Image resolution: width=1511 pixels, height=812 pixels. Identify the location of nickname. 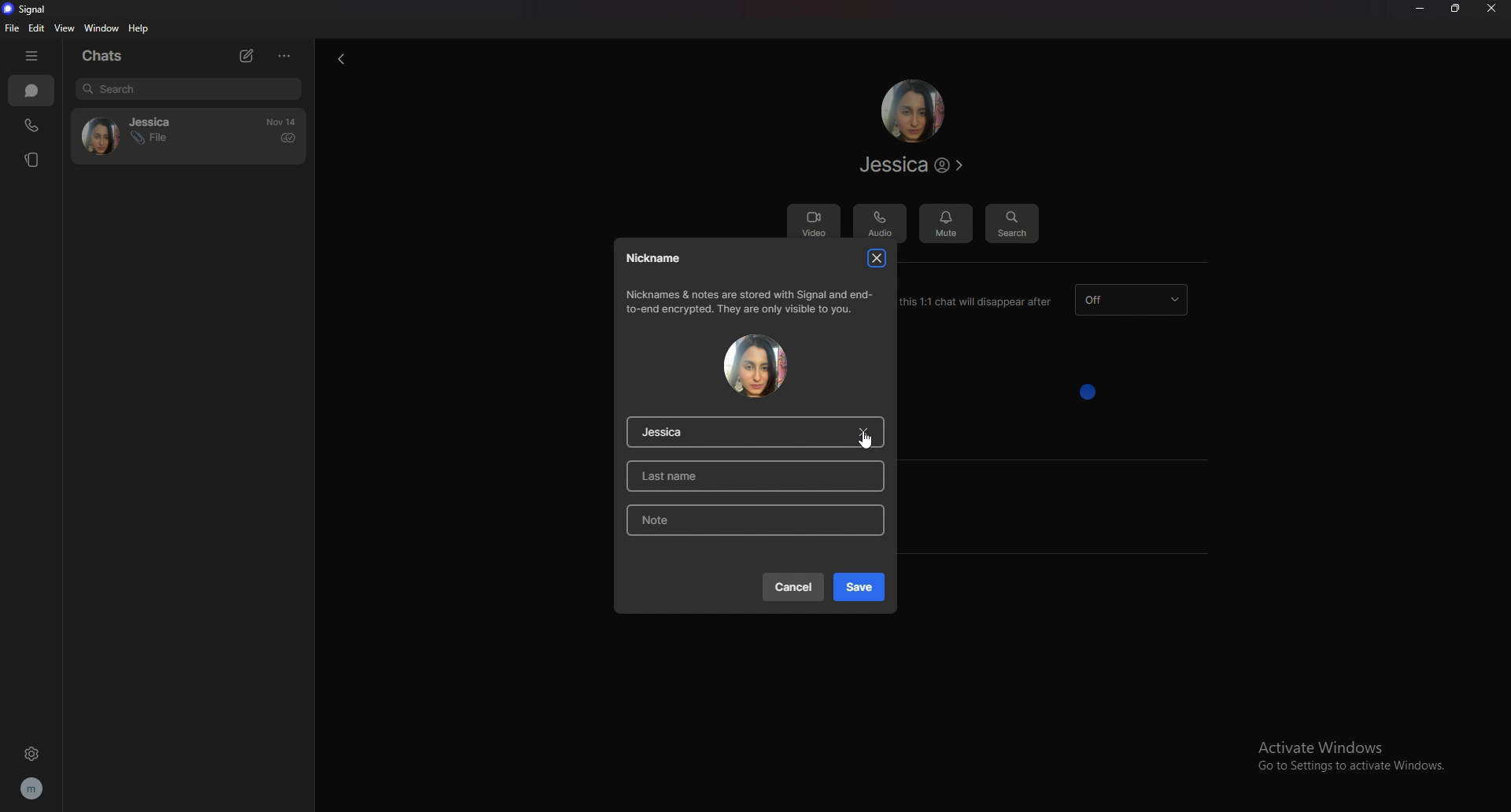
(656, 258).